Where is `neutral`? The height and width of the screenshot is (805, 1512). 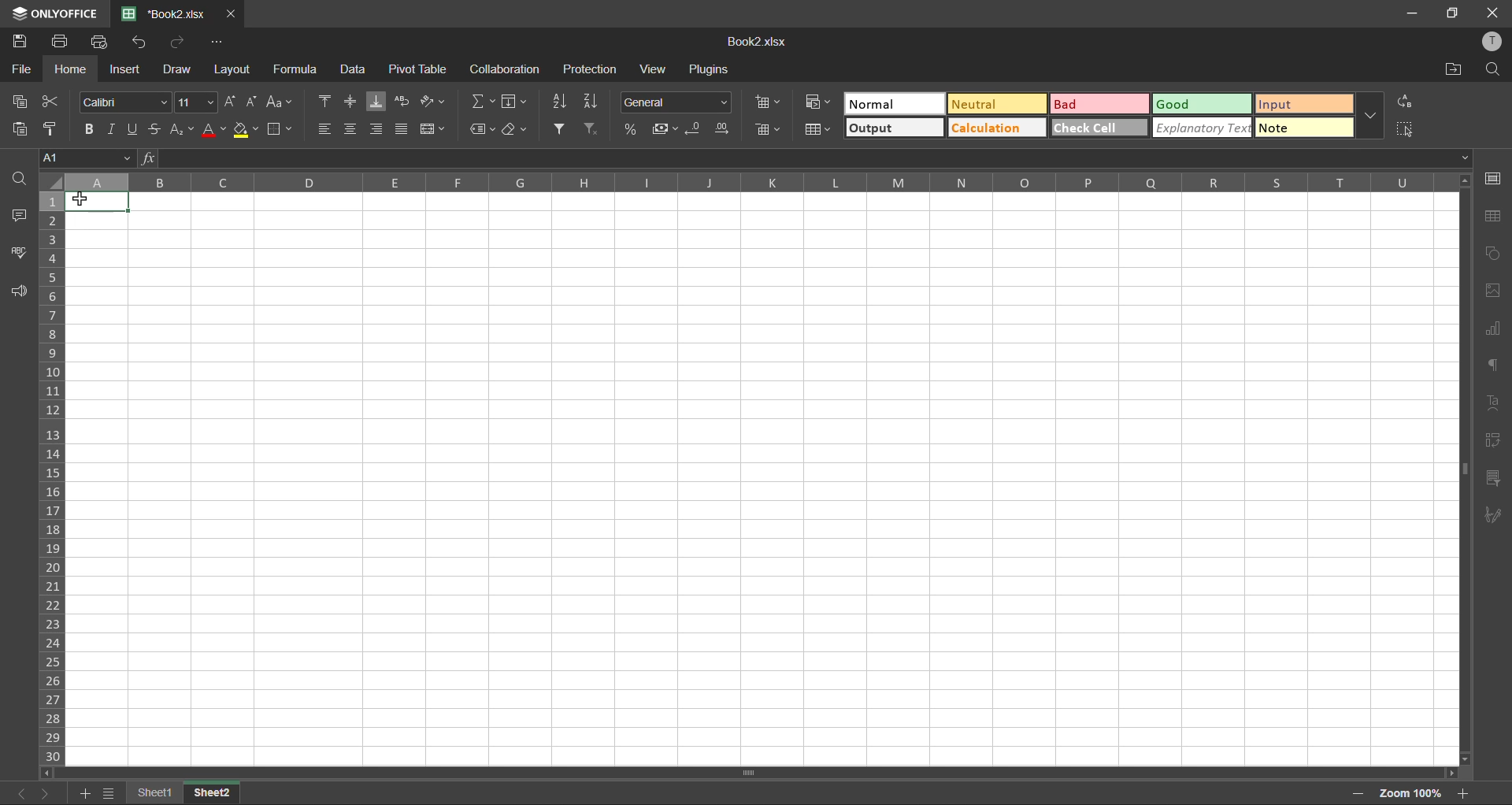 neutral is located at coordinates (996, 105).